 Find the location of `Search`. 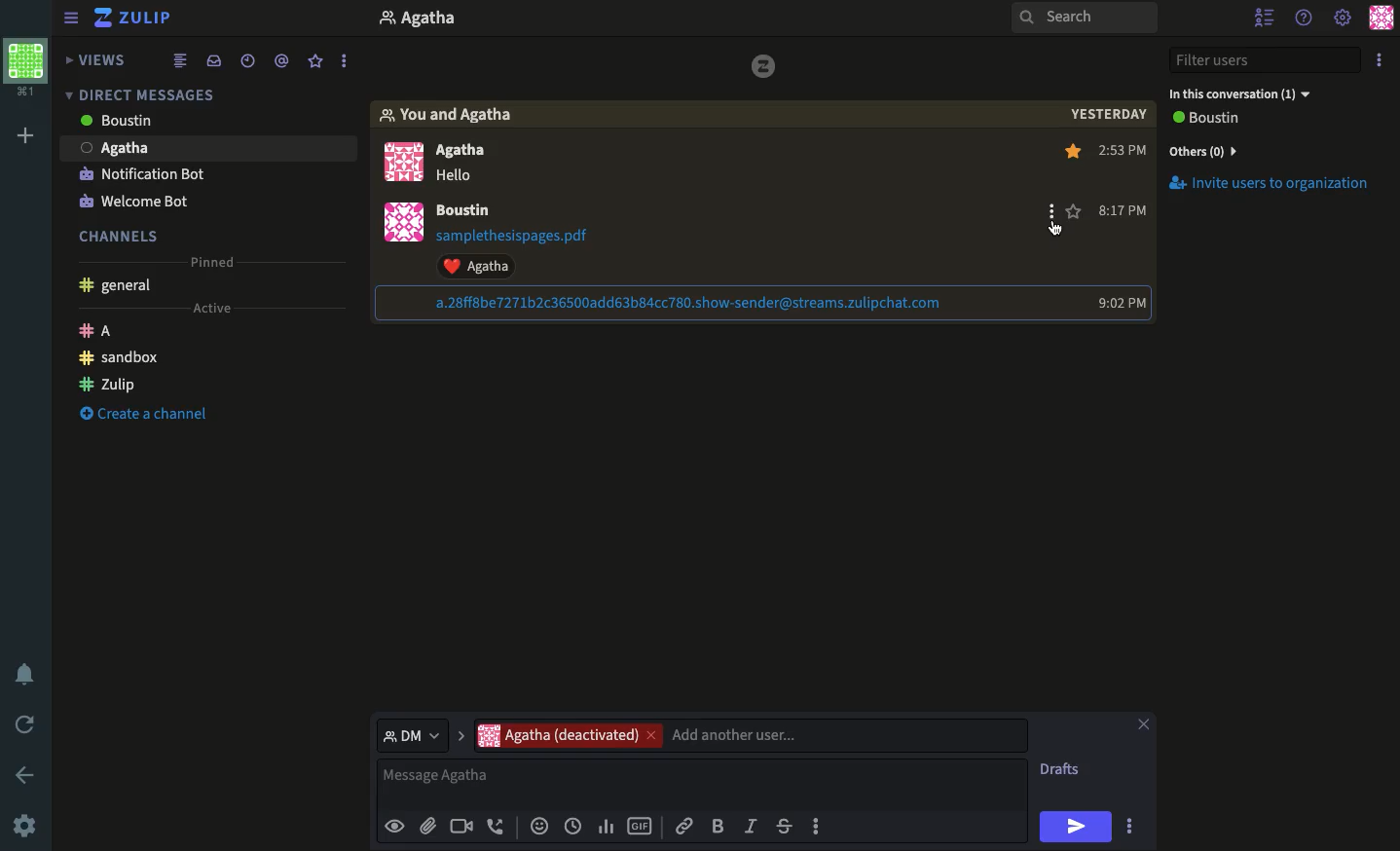

Search is located at coordinates (1085, 18).